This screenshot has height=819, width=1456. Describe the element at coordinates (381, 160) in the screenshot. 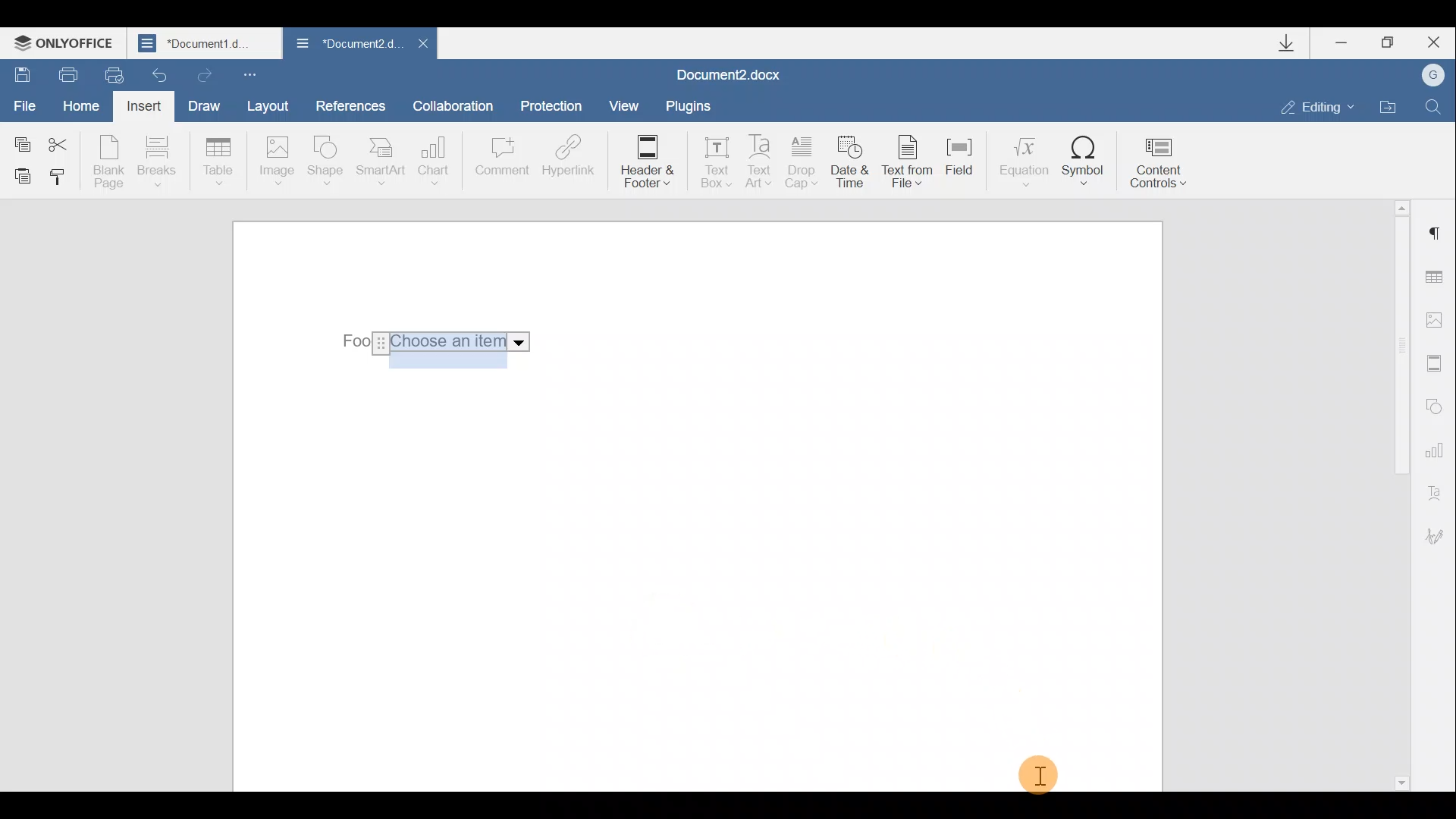

I see `SmartArt` at that location.